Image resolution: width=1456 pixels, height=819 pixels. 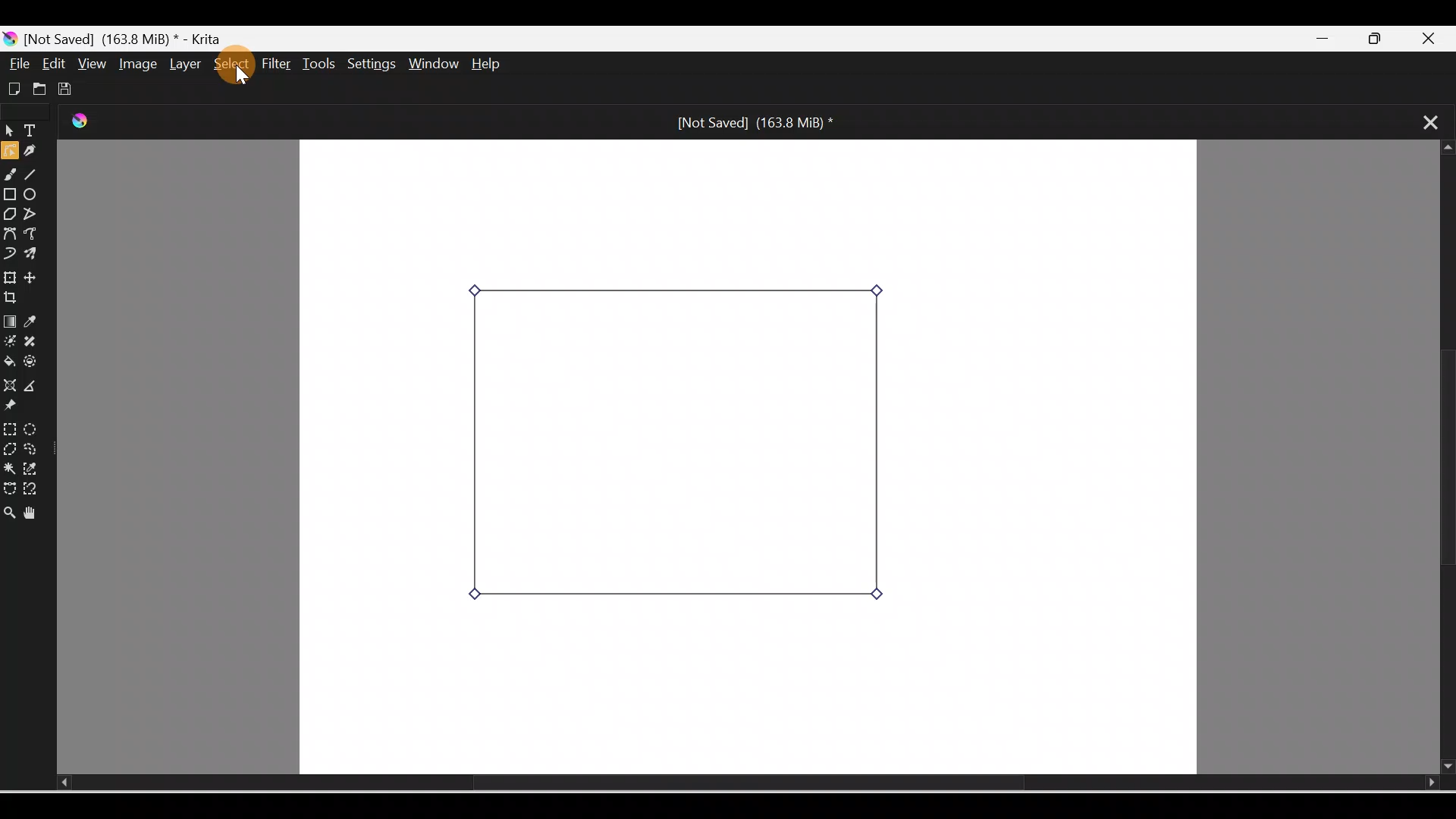 I want to click on Image, so click(x=135, y=64).